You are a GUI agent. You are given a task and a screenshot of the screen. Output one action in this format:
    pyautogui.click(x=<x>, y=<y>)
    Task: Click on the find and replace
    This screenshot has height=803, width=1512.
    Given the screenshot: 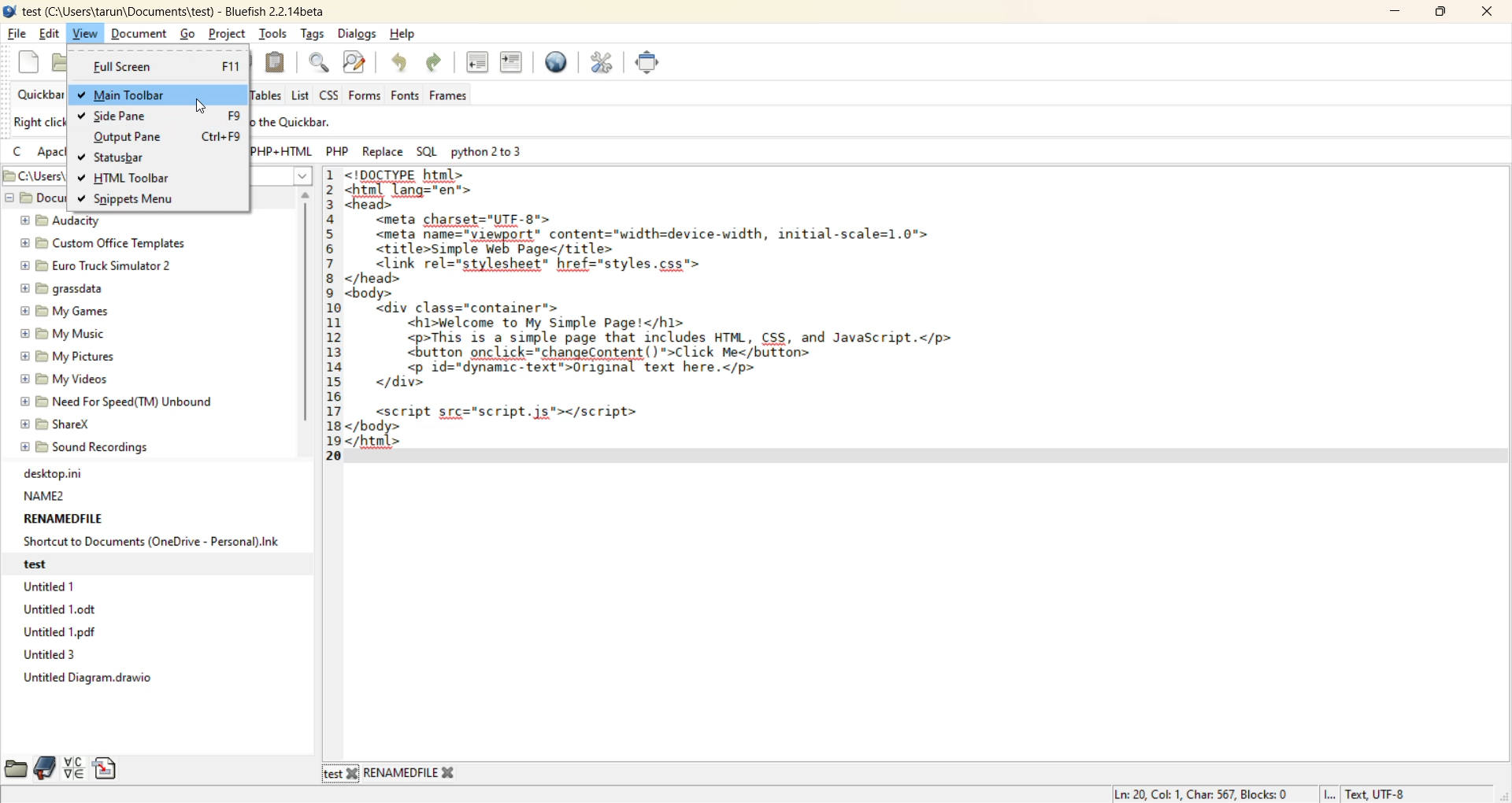 What is the action you would take?
    pyautogui.click(x=358, y=65)
    